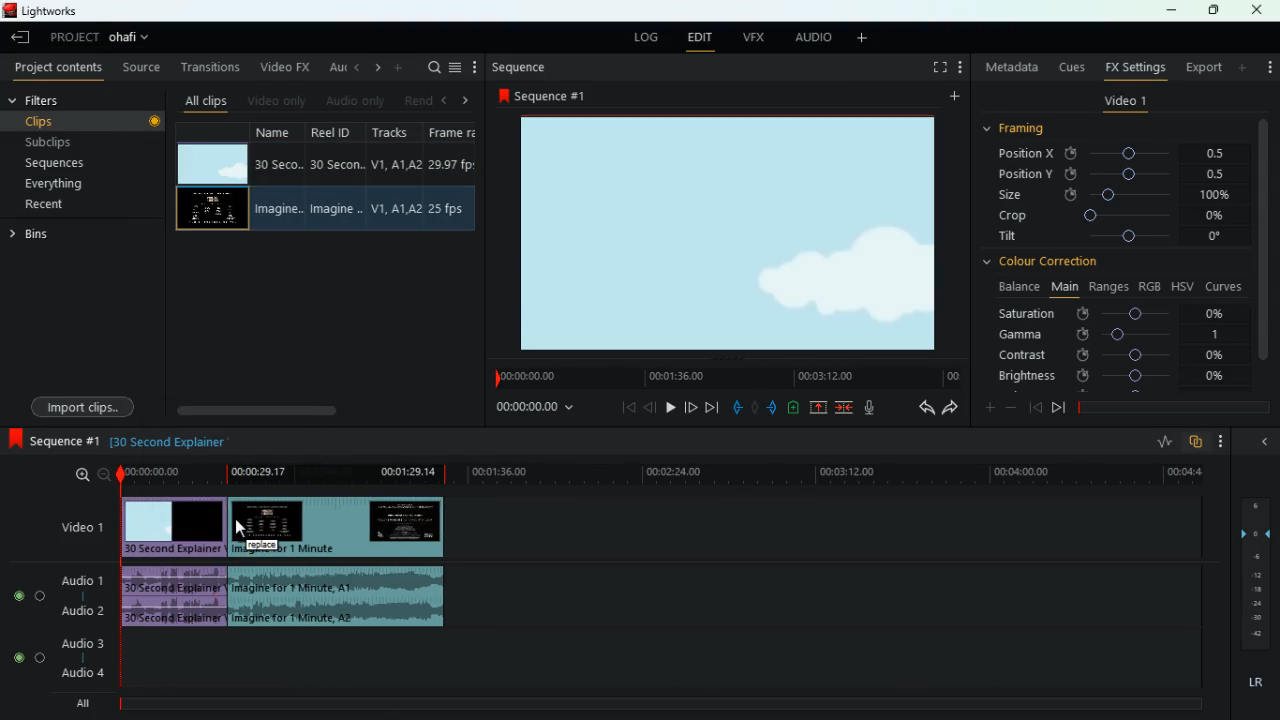 The height and width of the screenshot is (720, 1280). Describe the element at coordinates (660, 474) in the screenshot. I see `time` at that location.